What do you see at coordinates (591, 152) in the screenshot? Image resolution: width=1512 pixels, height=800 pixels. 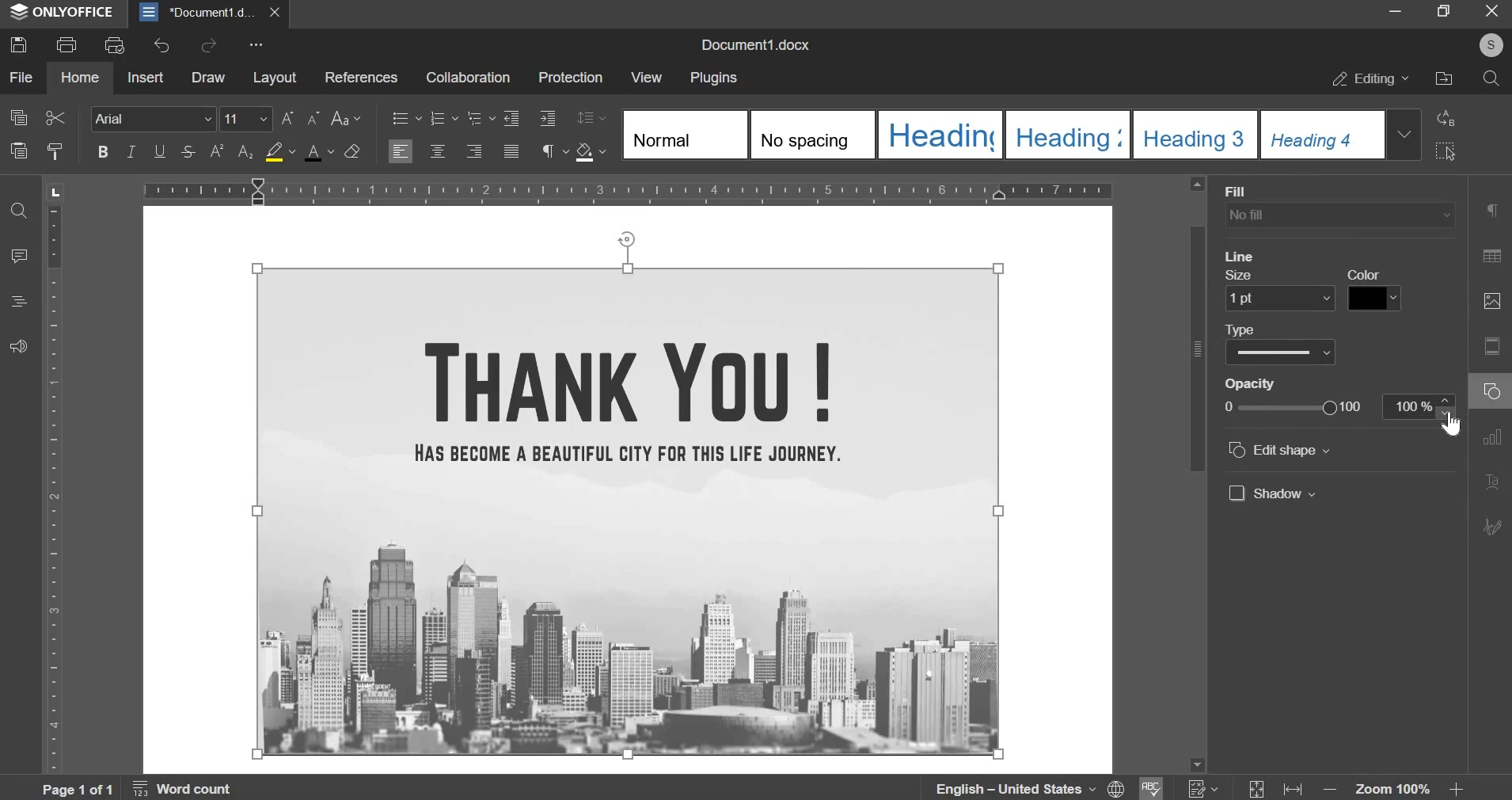 I see `shading` at bounding box center [591, 152].